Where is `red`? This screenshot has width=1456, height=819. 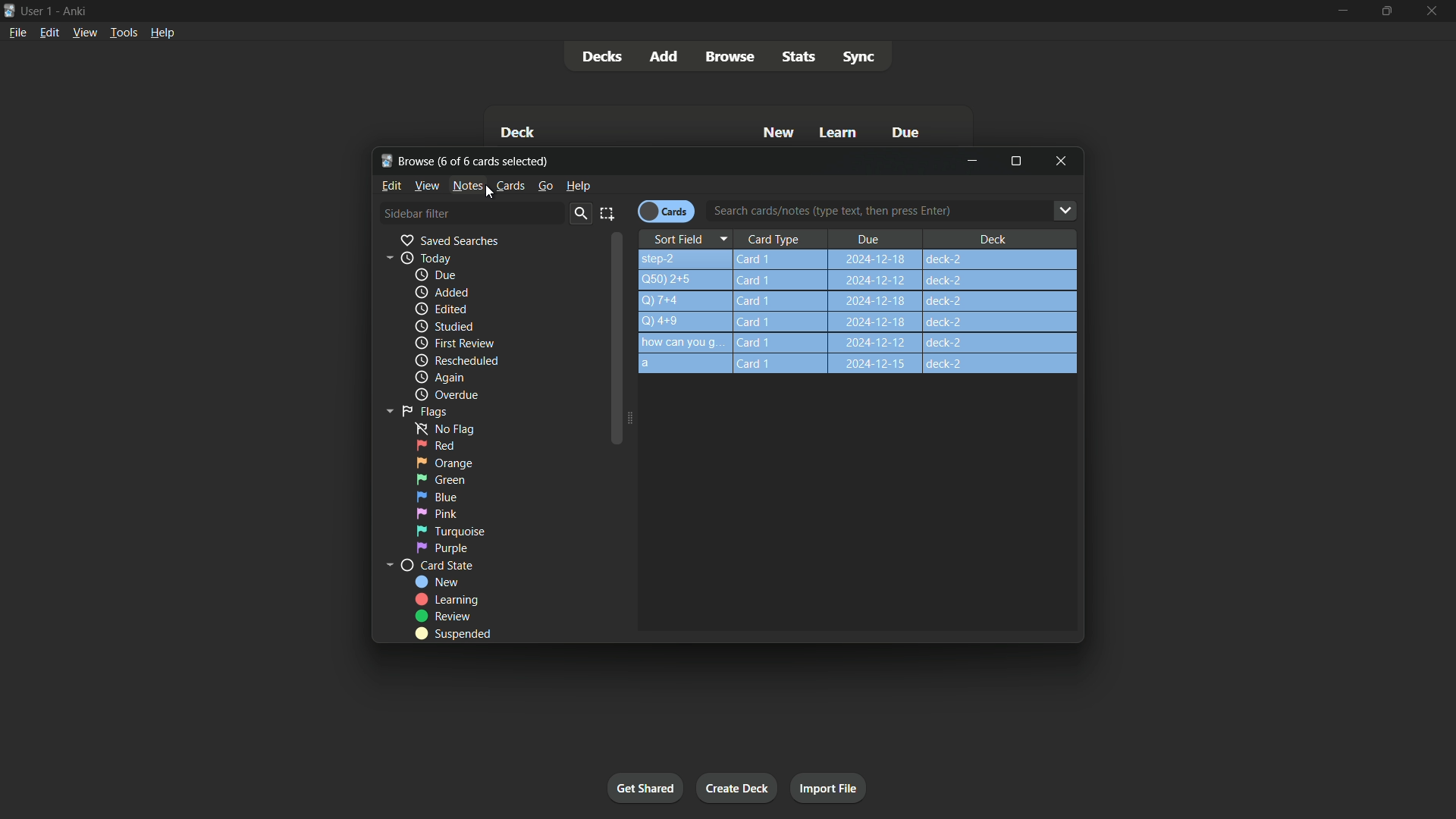 red is located at coordinates (435, 446).